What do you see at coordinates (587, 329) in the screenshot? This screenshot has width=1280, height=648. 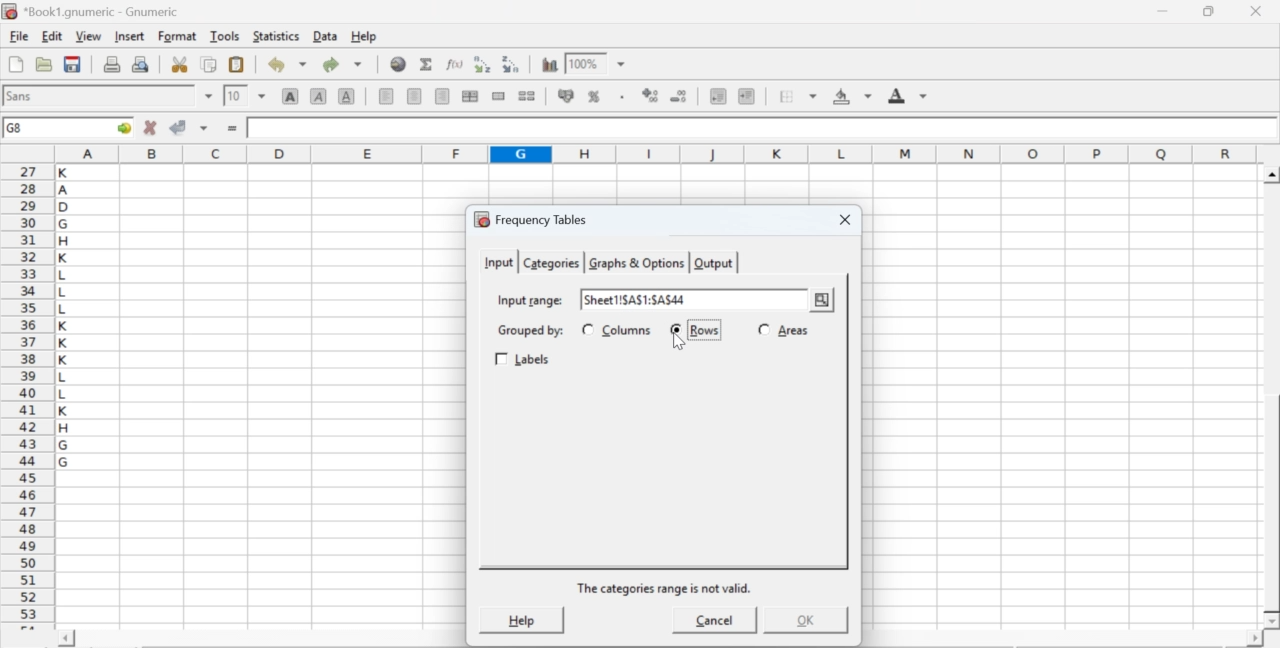 I see `checkbox` at bounding box center [587, 329].